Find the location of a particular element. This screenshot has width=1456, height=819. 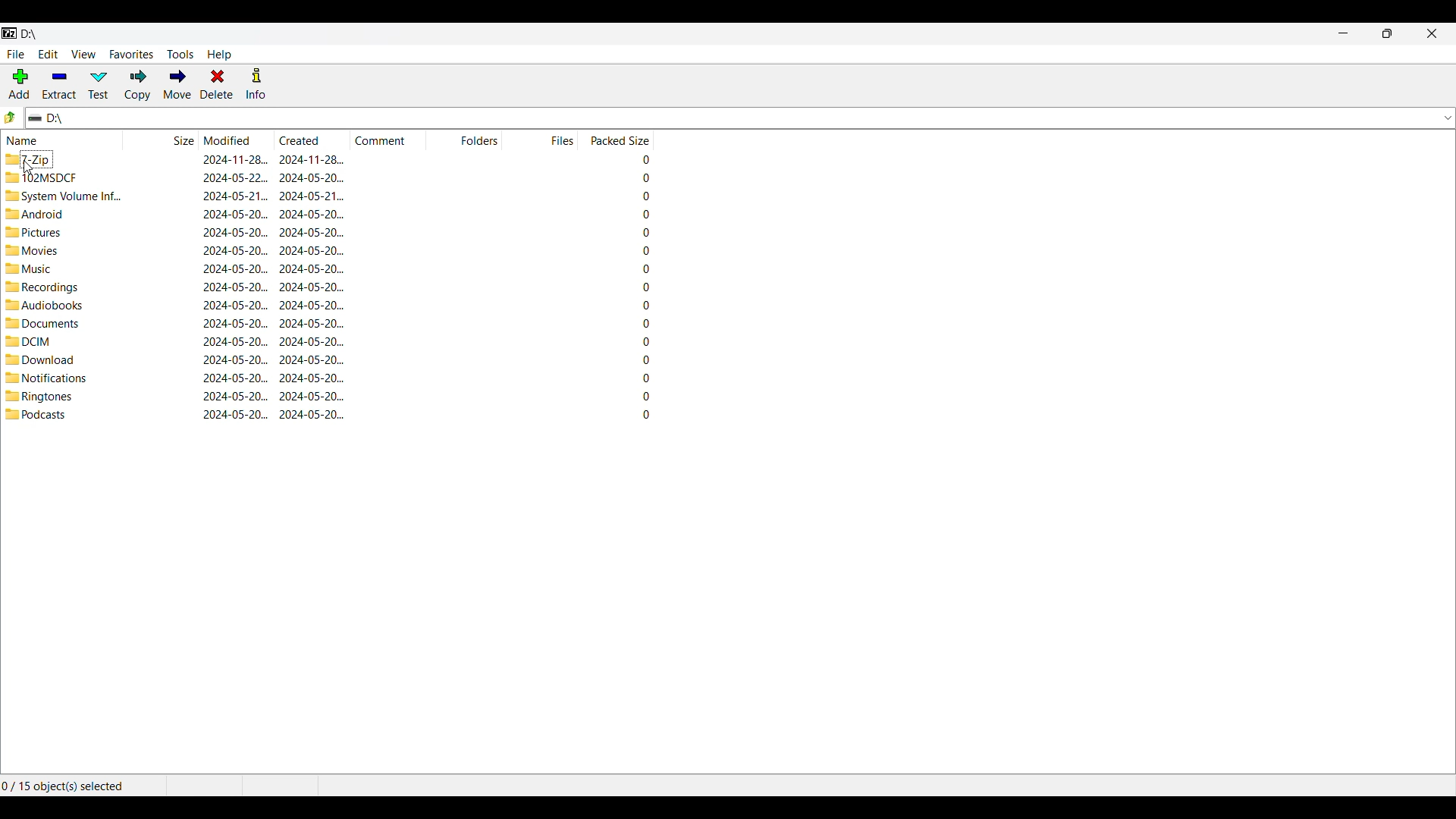

created date & time is located at coordinates (311, 287).